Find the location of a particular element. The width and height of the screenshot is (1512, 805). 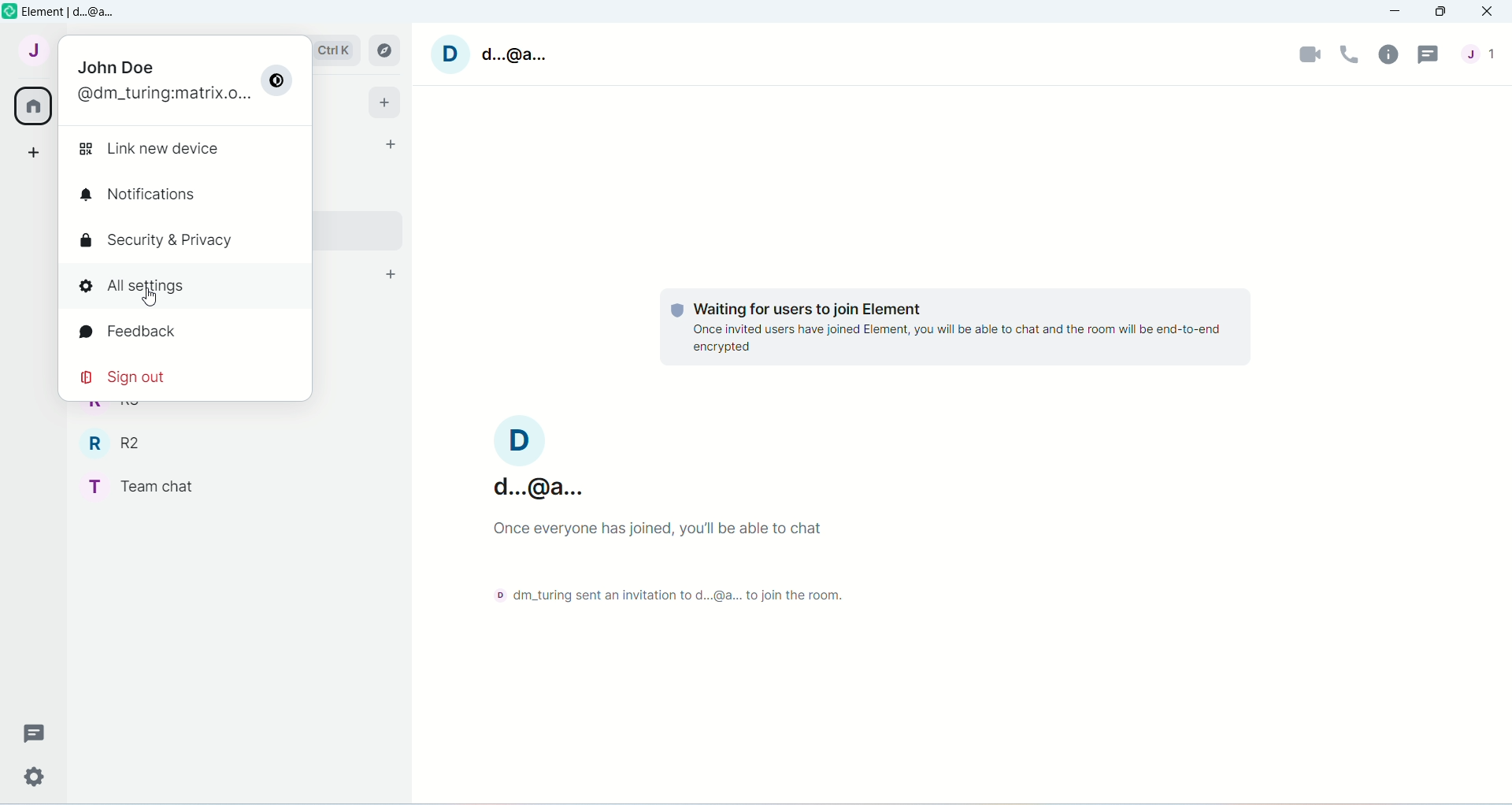

once invited users have joined element,you will be able to chat and the room will be end to end encrypted is located at coordinates (965, 339).